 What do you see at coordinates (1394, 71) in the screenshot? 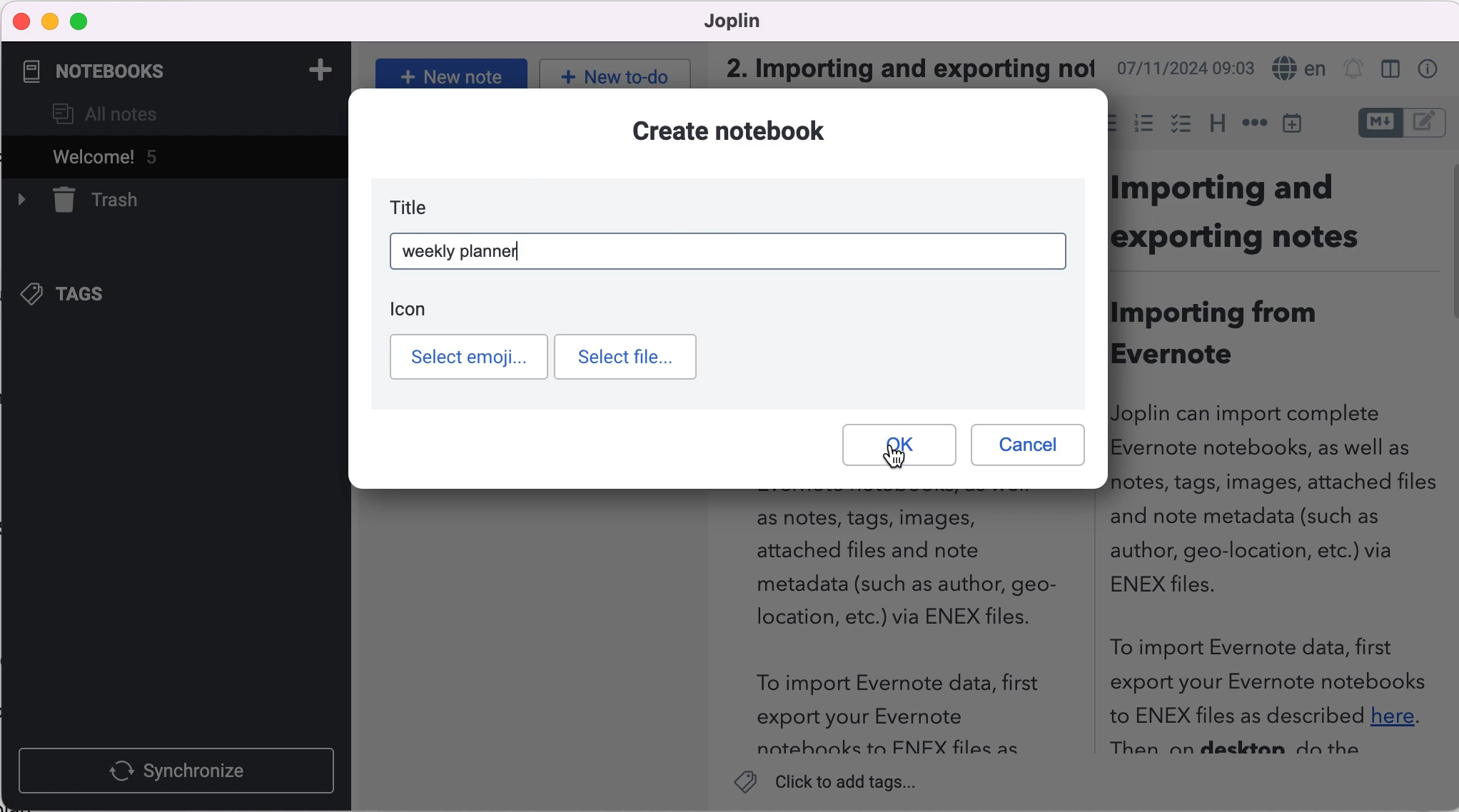
I see `toggle editor layout` at bounding box center [1394, 71].